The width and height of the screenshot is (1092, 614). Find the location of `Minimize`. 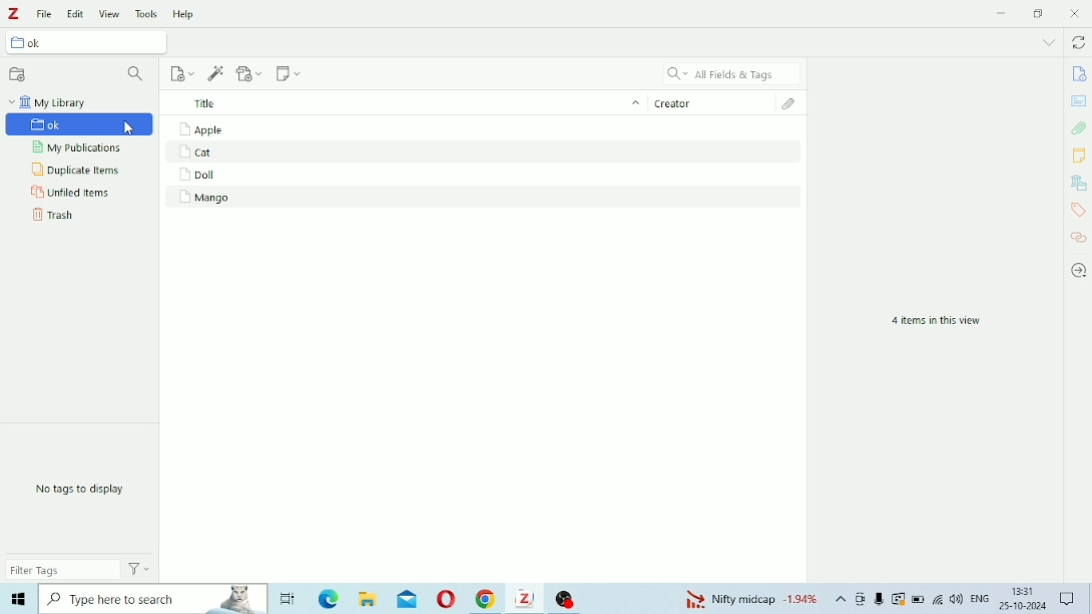

Minimize is located at coordinates (1003, 12).